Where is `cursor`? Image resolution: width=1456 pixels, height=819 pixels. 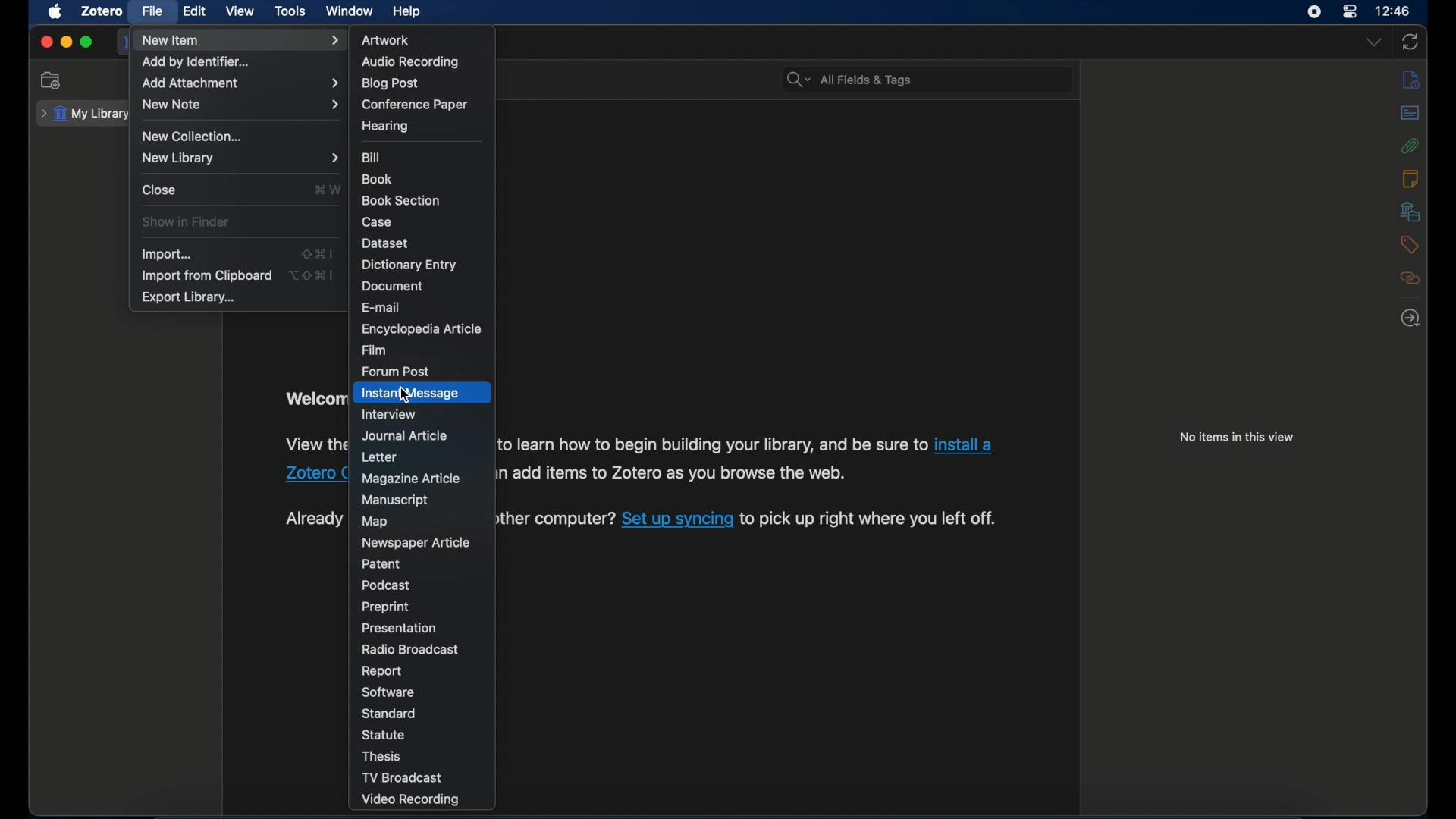 cursor is located at coordinates (404, 397).